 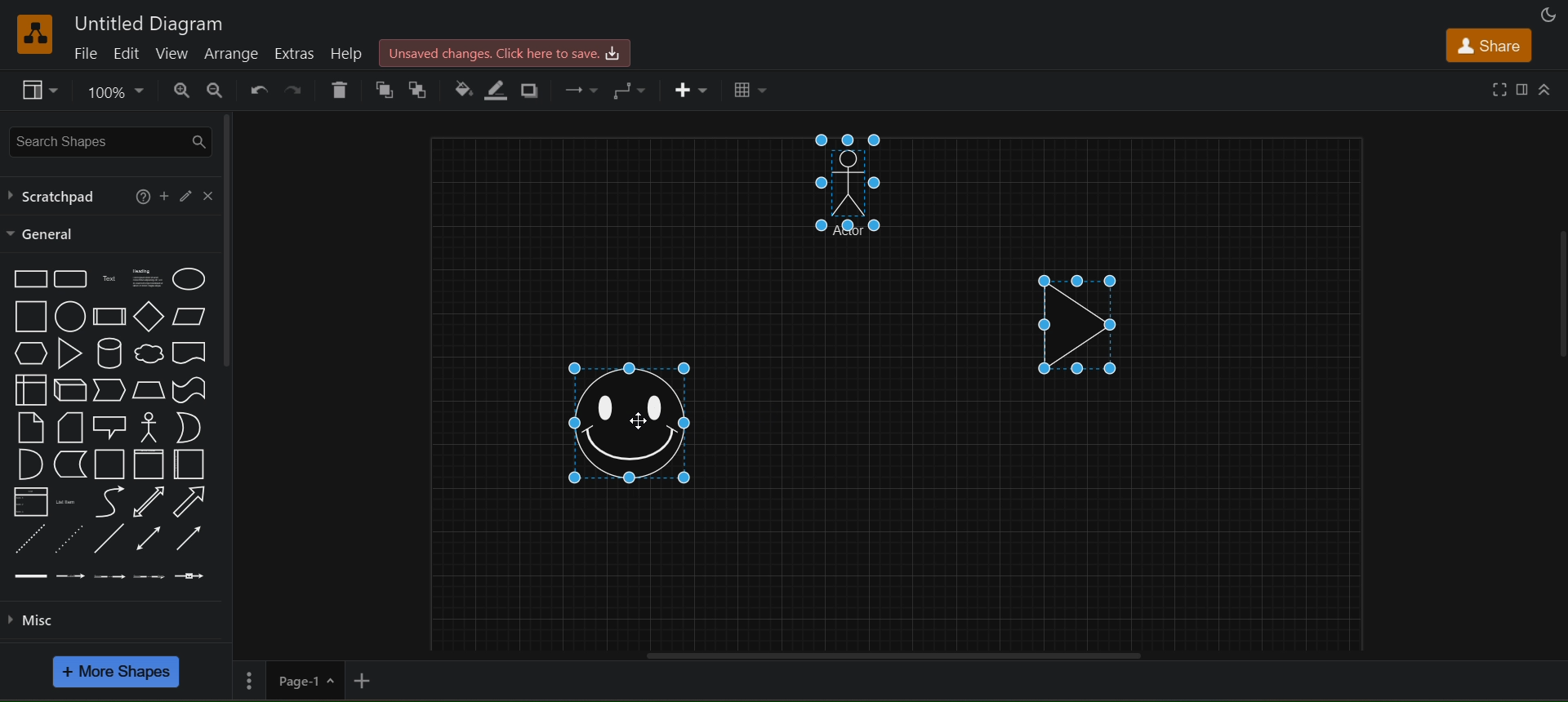 I want to click on misc, so click(x=35, y=619).